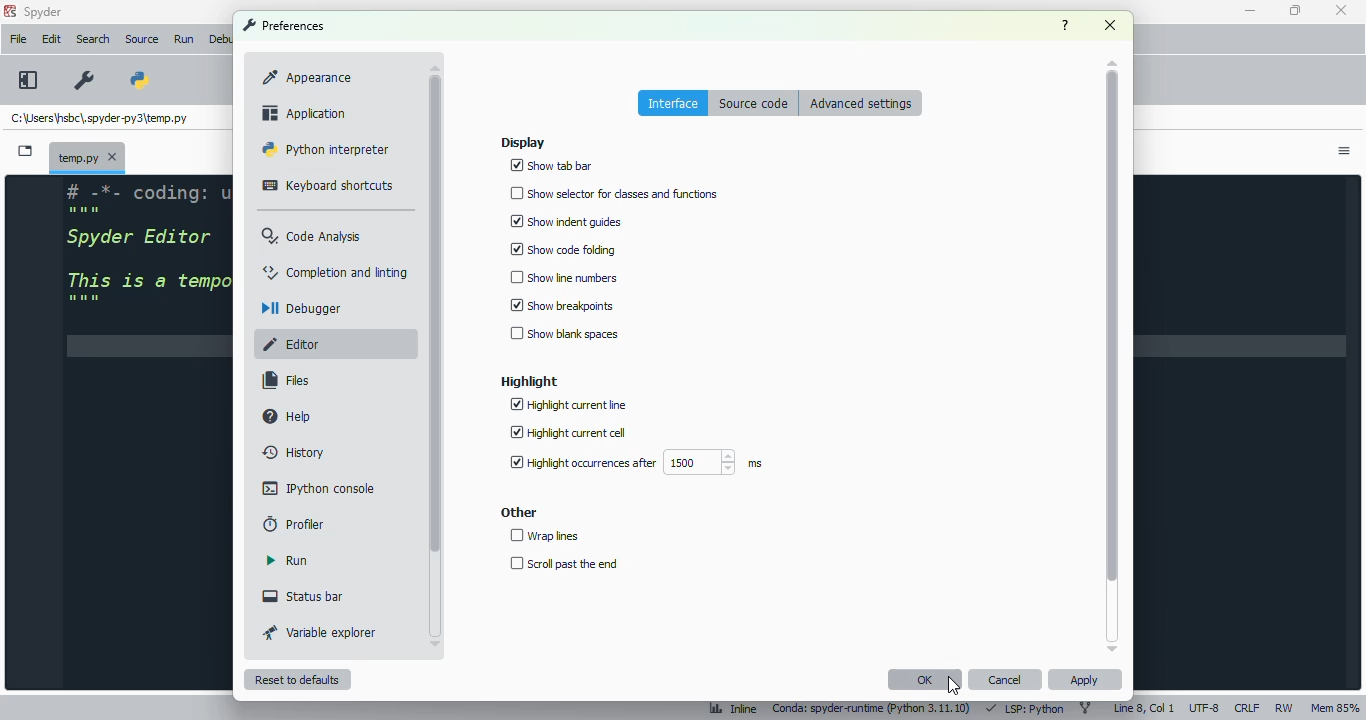  Describe the element at coordinates (85, 82) in the screenshot. I see `preferences` at that location.